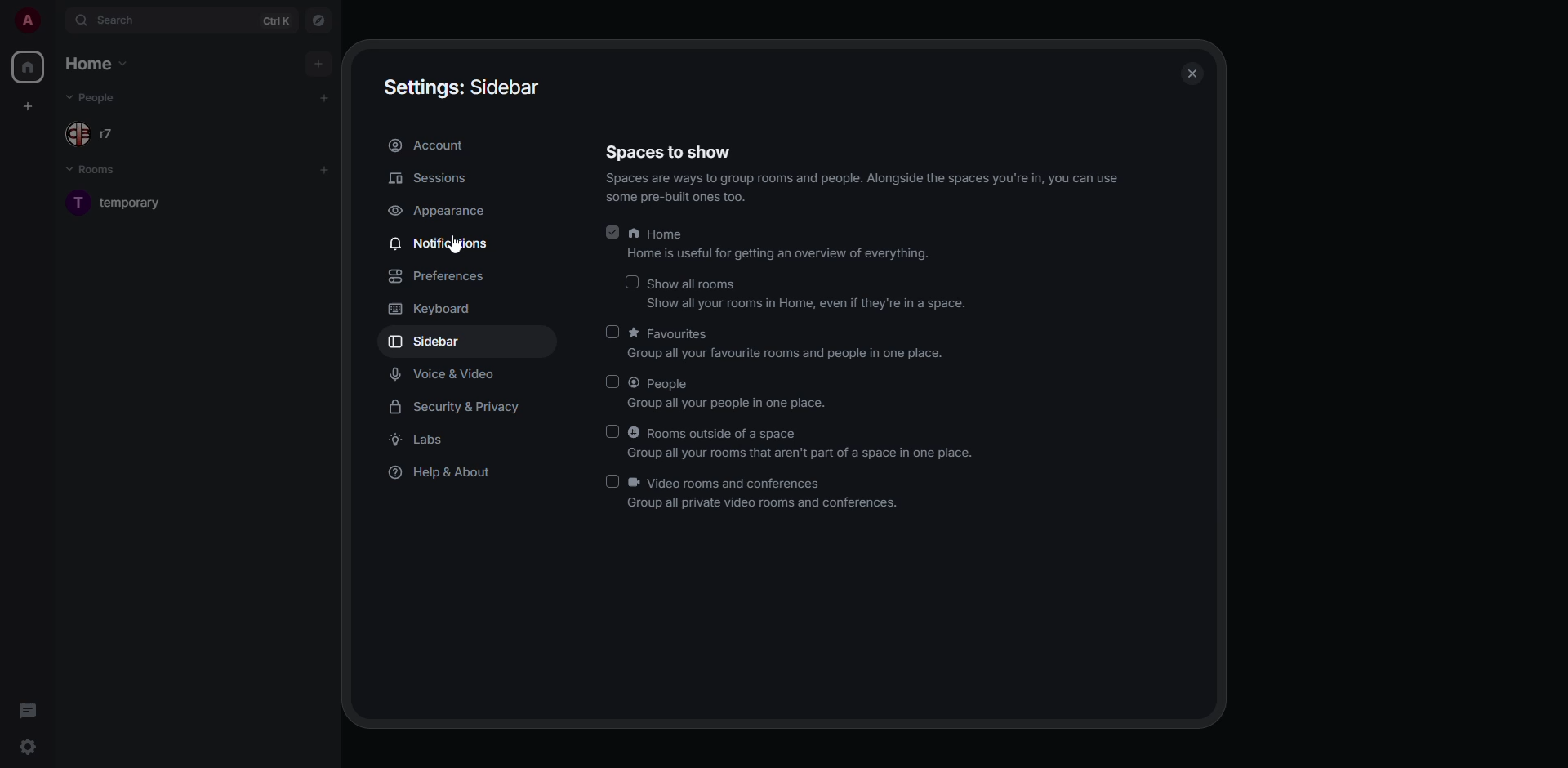 The width and height of the screenshot is (1568, 768). Describe the element at coordinates (454, 249) in the screenshot. I see `cursor` at that location.